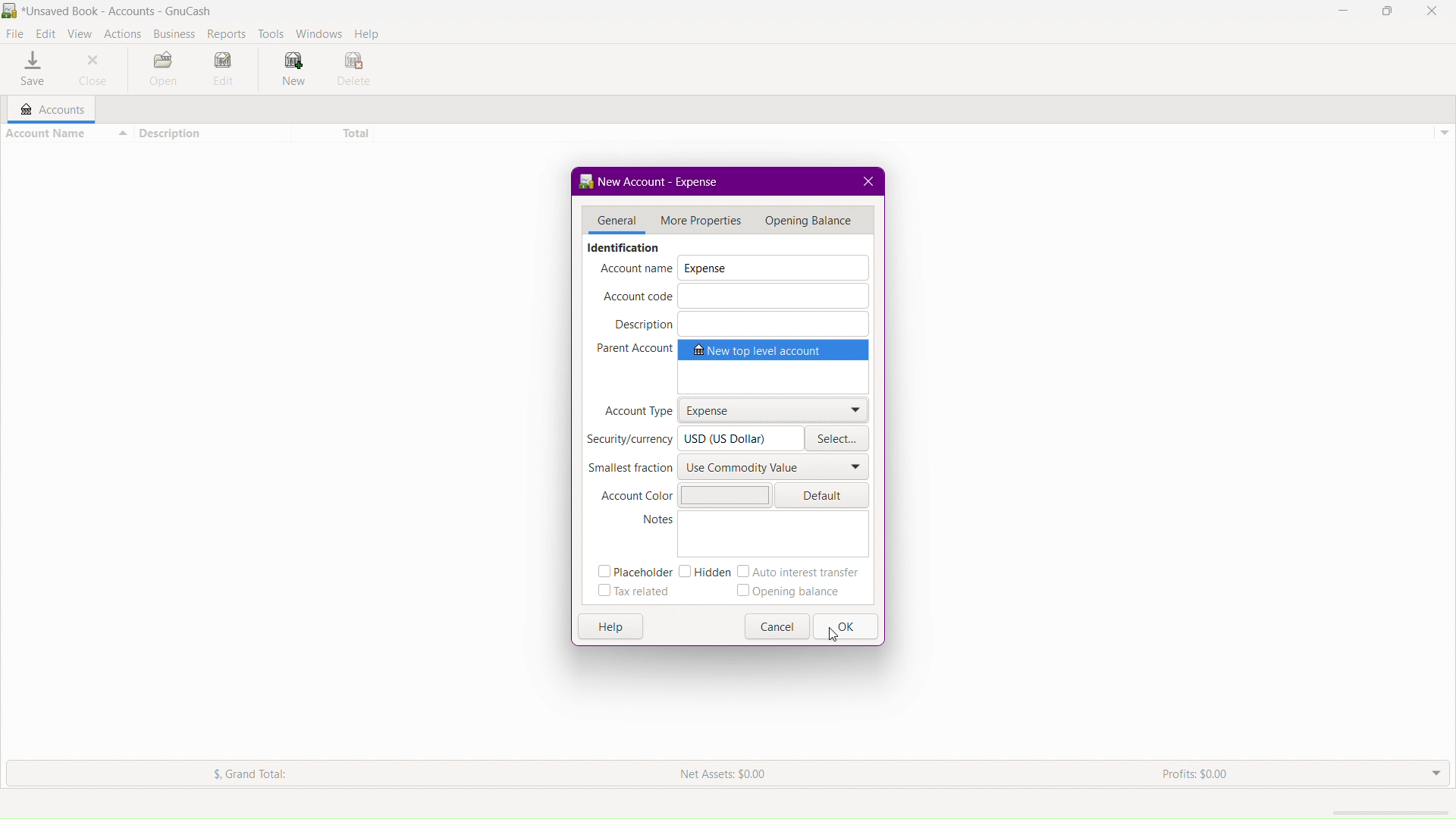 Image resolution: width=1456 pixels, height=819 pixels. I want to click on Tools, so click(269, 31).